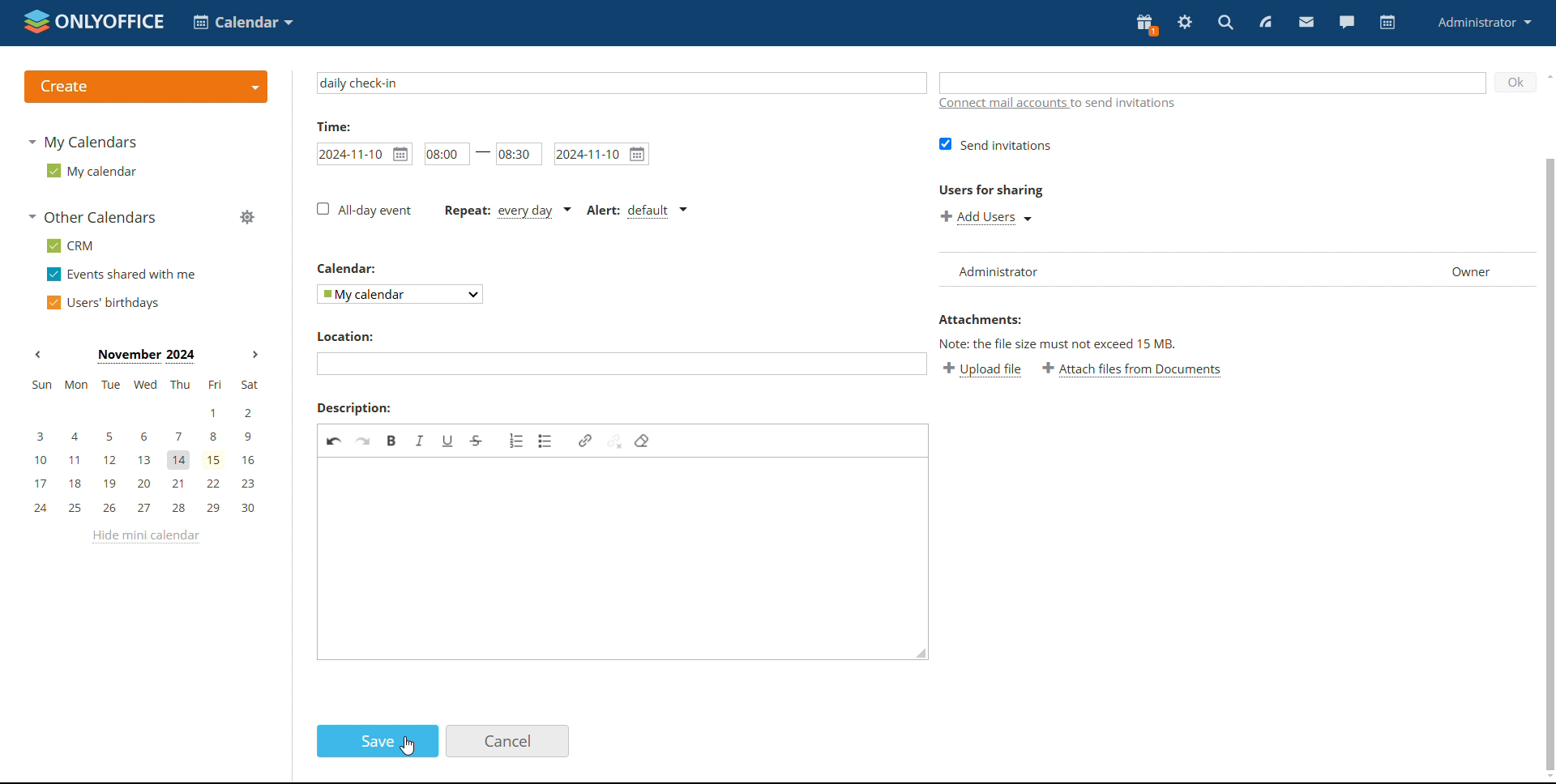 Image resolution: width=1556 pixels, height=784 pixels. I want to click on location:, so click(363, 334).